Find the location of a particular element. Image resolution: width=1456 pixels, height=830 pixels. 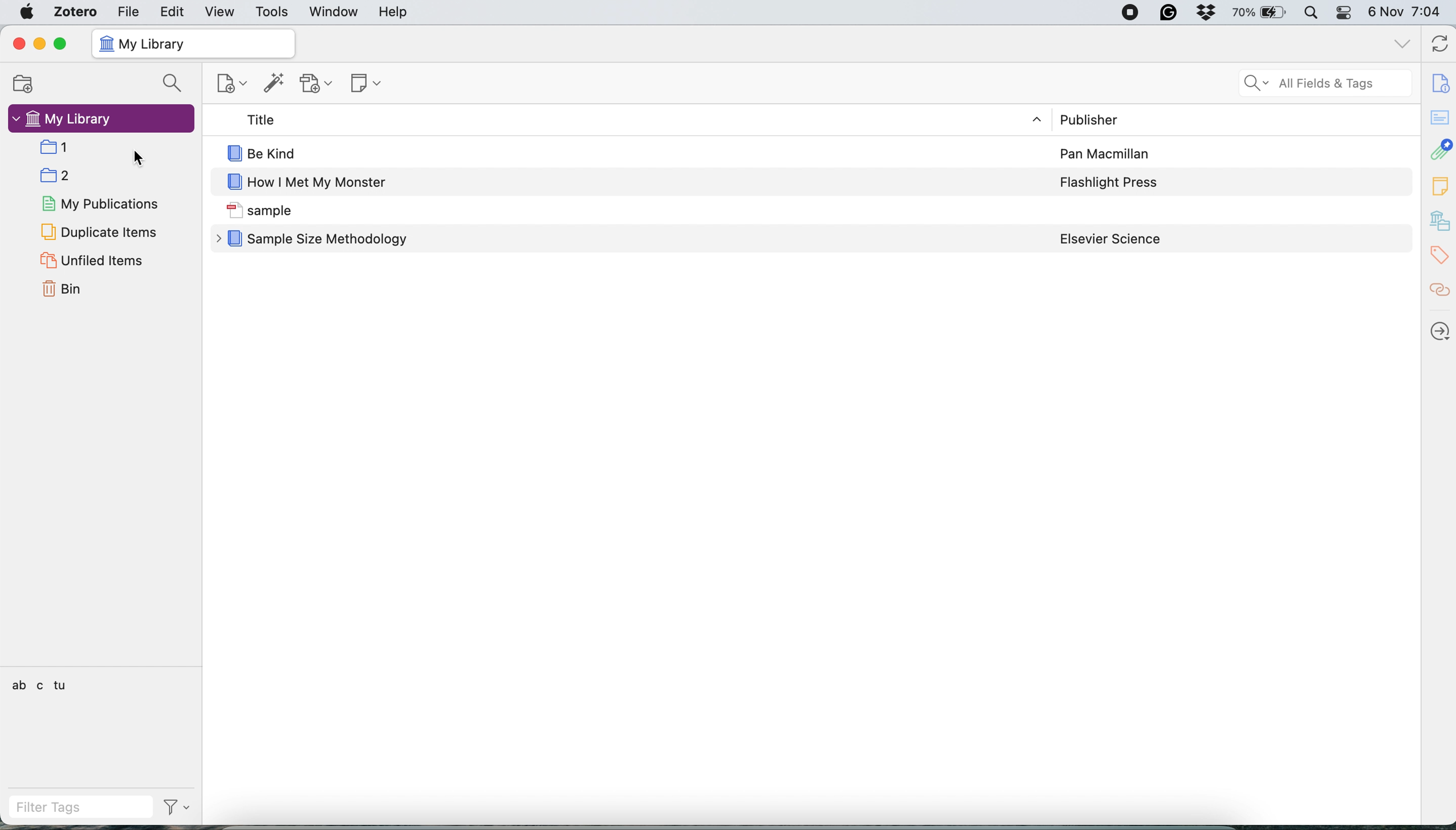

unfiled items is located at coordinates (93, 260).